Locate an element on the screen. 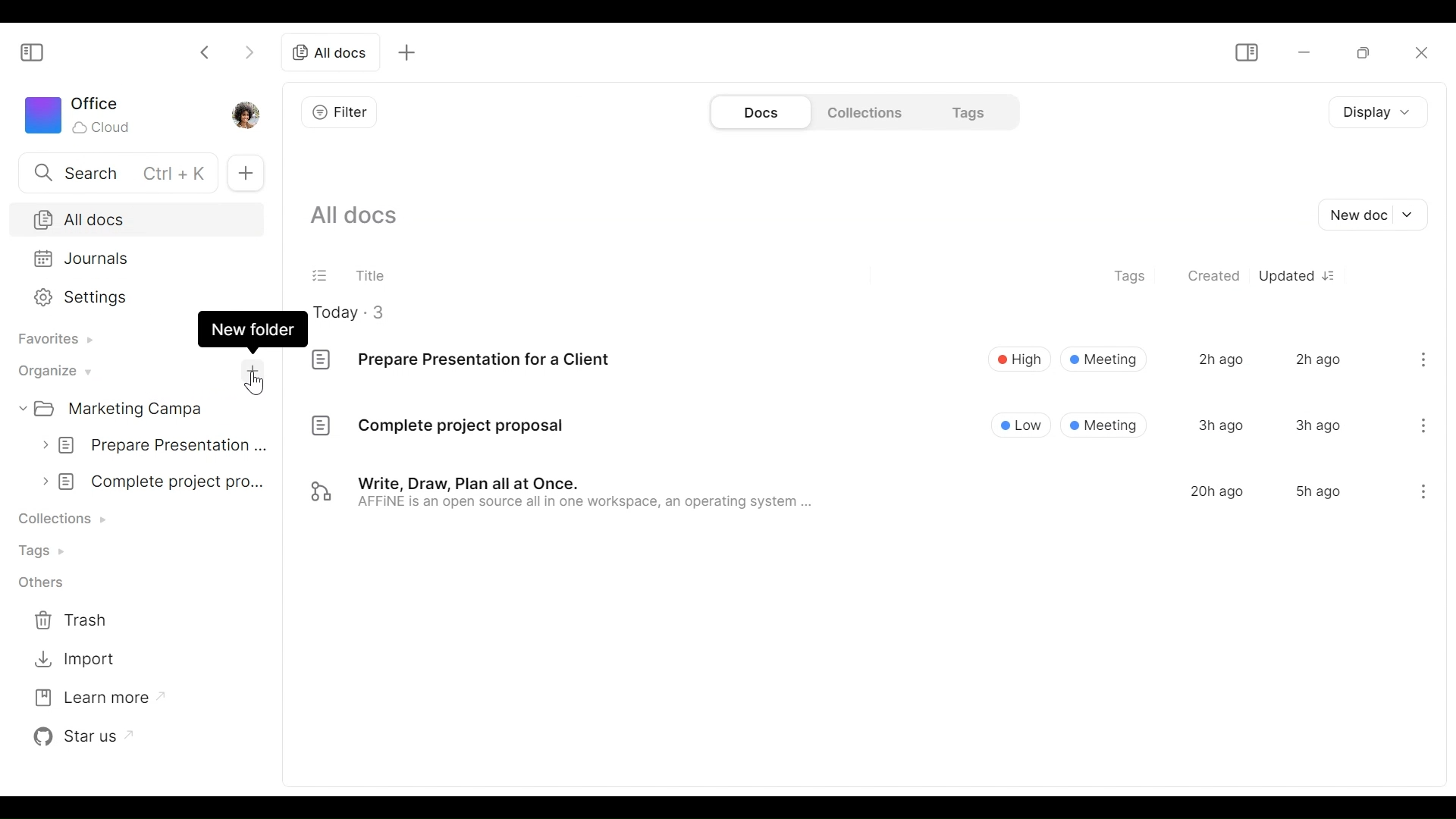 Image resolution: width=1456 pixels, height=819 pixels. Show/Hide is located at coordinates (1246, 54).